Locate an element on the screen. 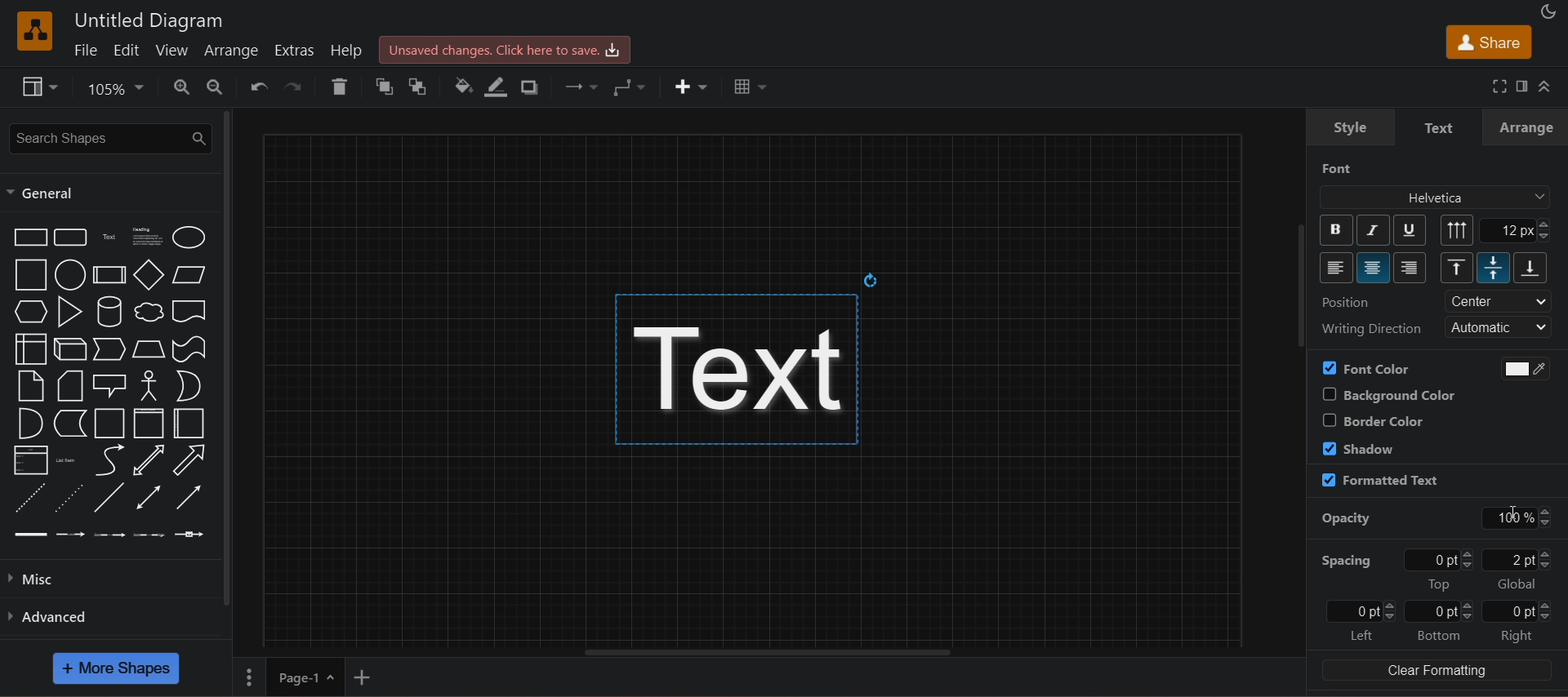  connector with symbol is located at coordinates (190, 535).